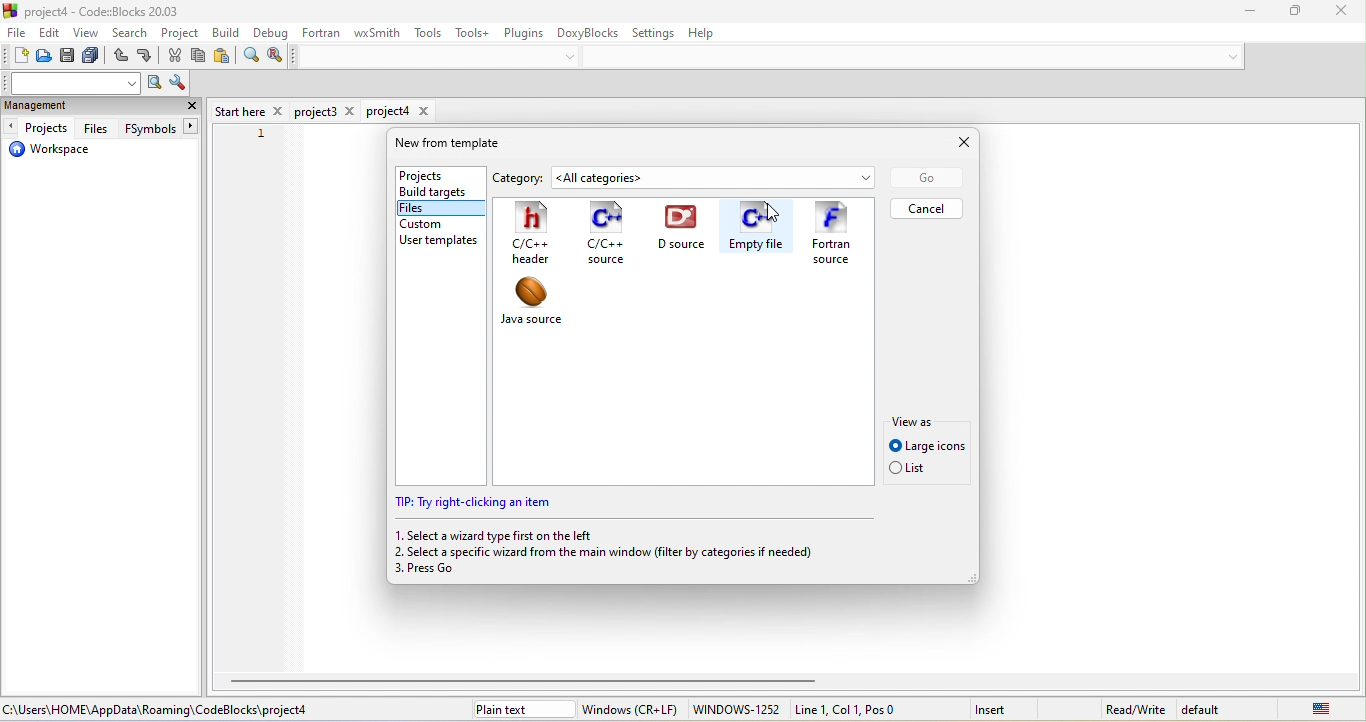 This screenshot has width=1366, height=722. I want to click on window, so click(631, 709).